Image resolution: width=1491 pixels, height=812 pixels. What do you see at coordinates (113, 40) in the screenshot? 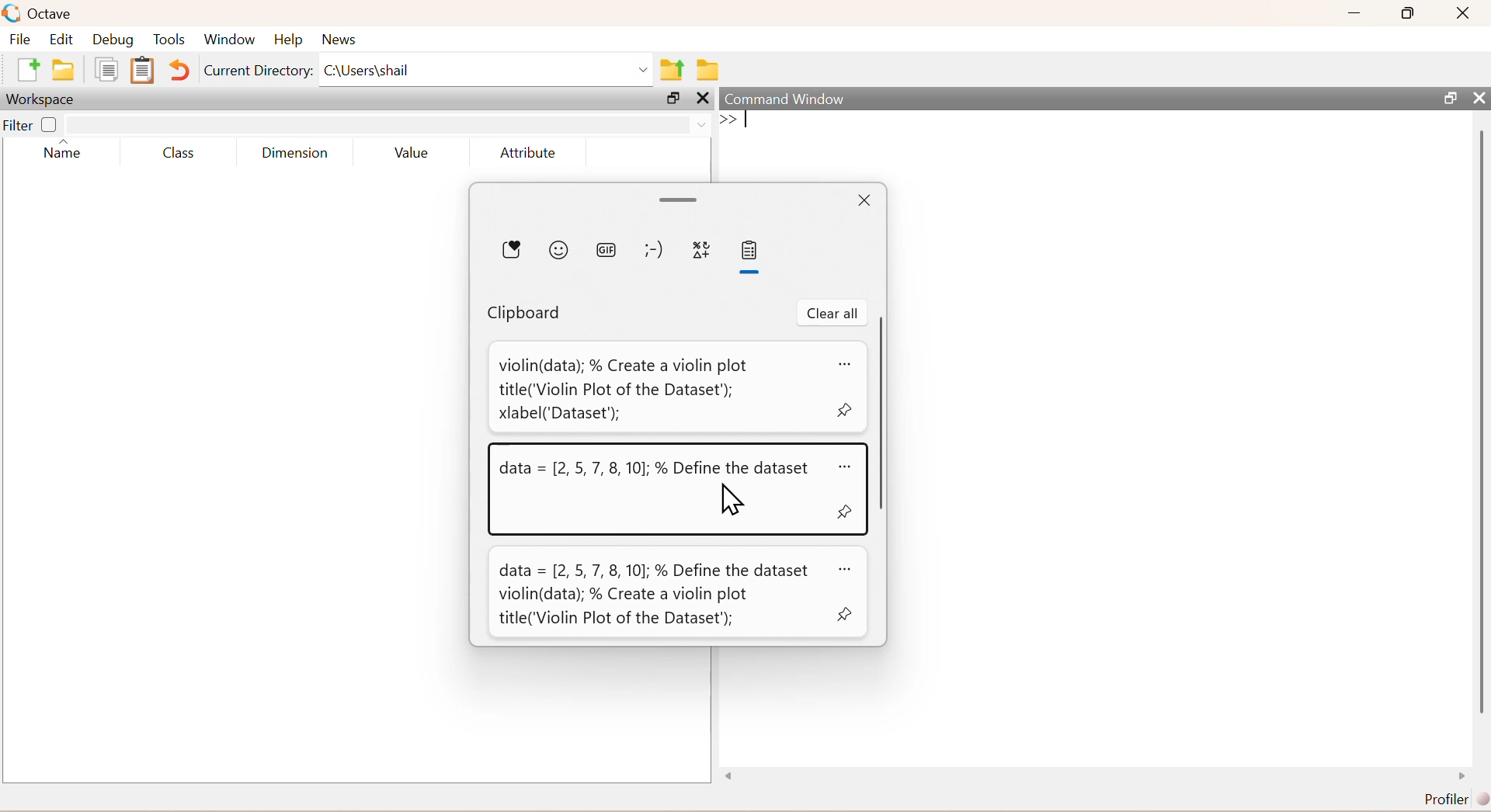
I see `debug` at bounding box center [113, 40].